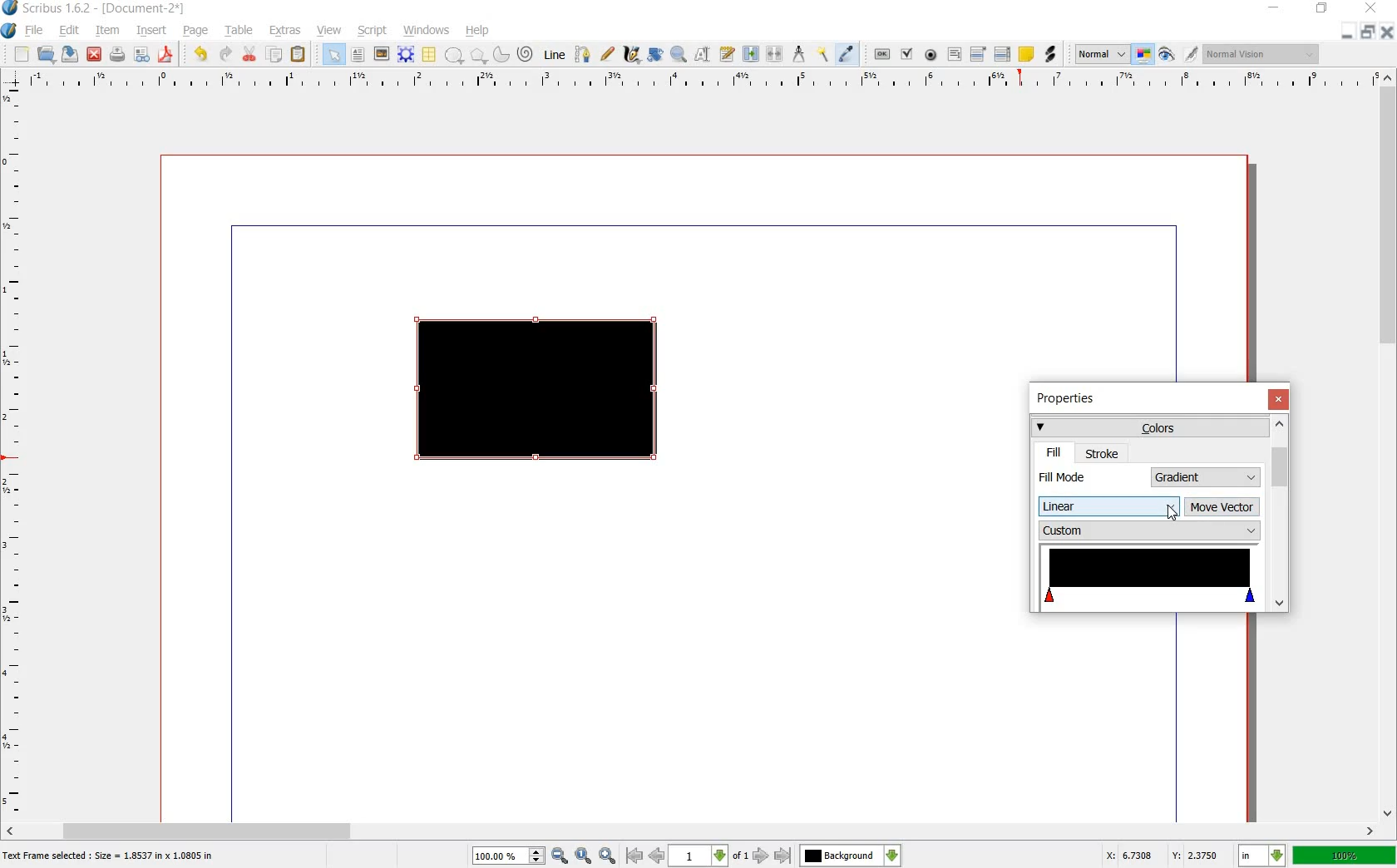  I want to click on save, so click(72, 54).